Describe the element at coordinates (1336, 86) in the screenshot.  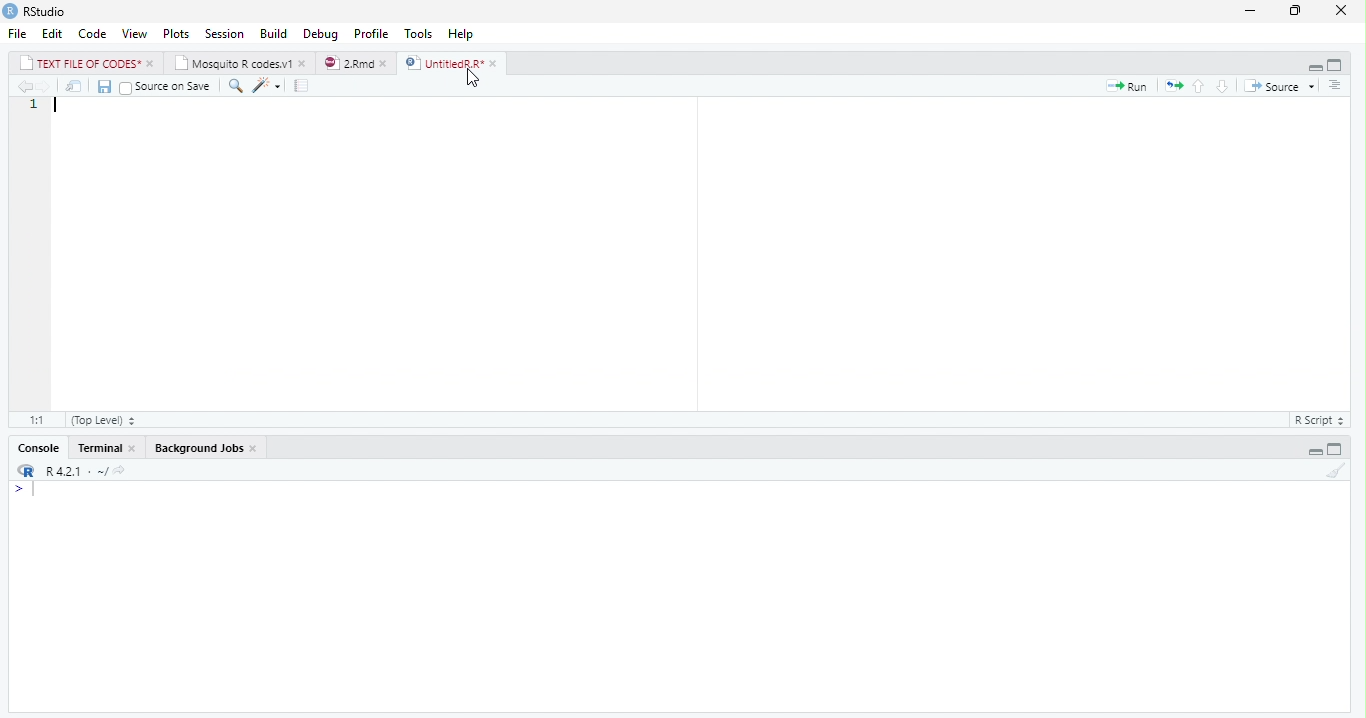
I see `show document outline` at that location.